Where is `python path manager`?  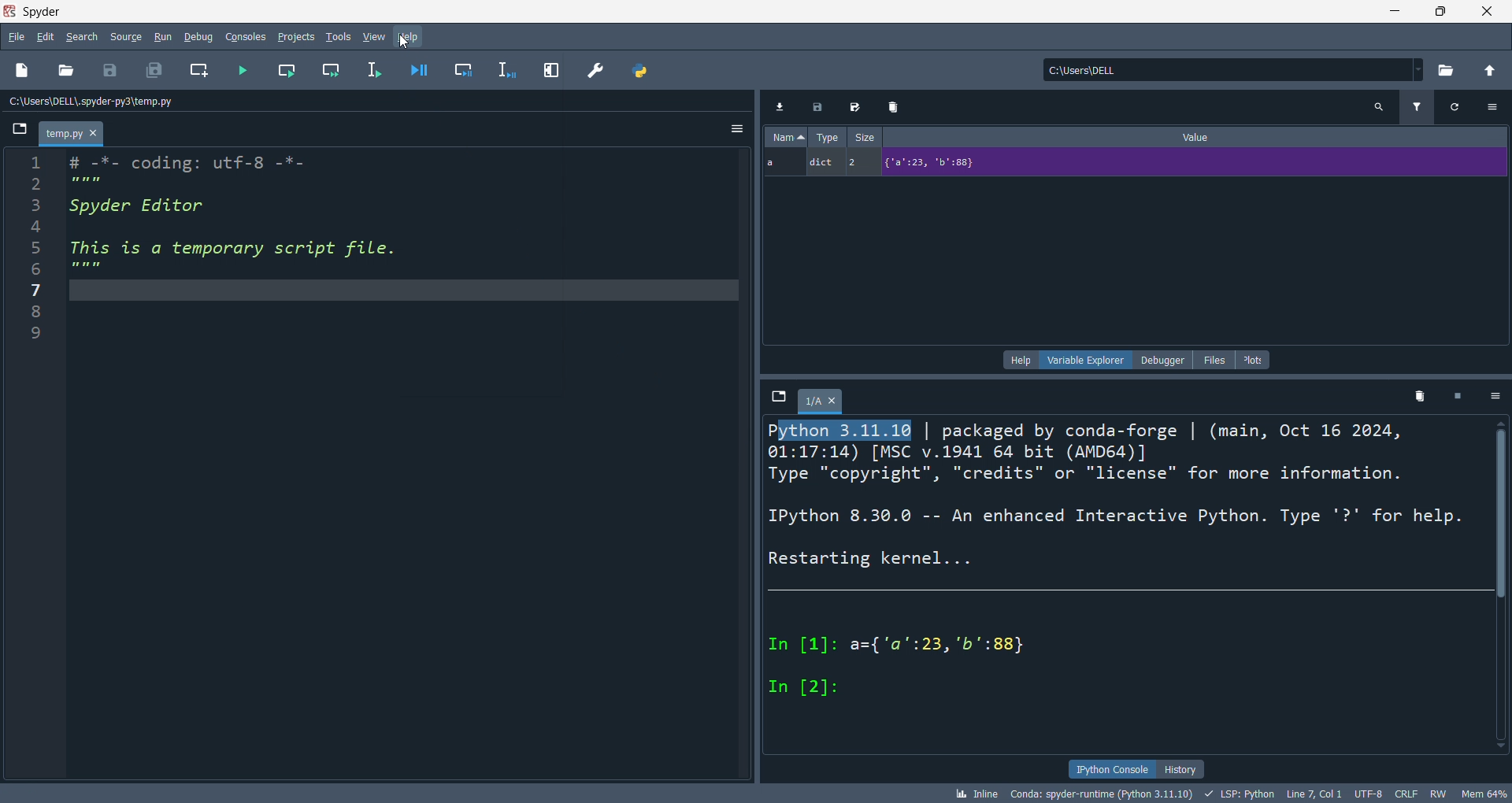 python path manager is located at coordinates (641, 69).